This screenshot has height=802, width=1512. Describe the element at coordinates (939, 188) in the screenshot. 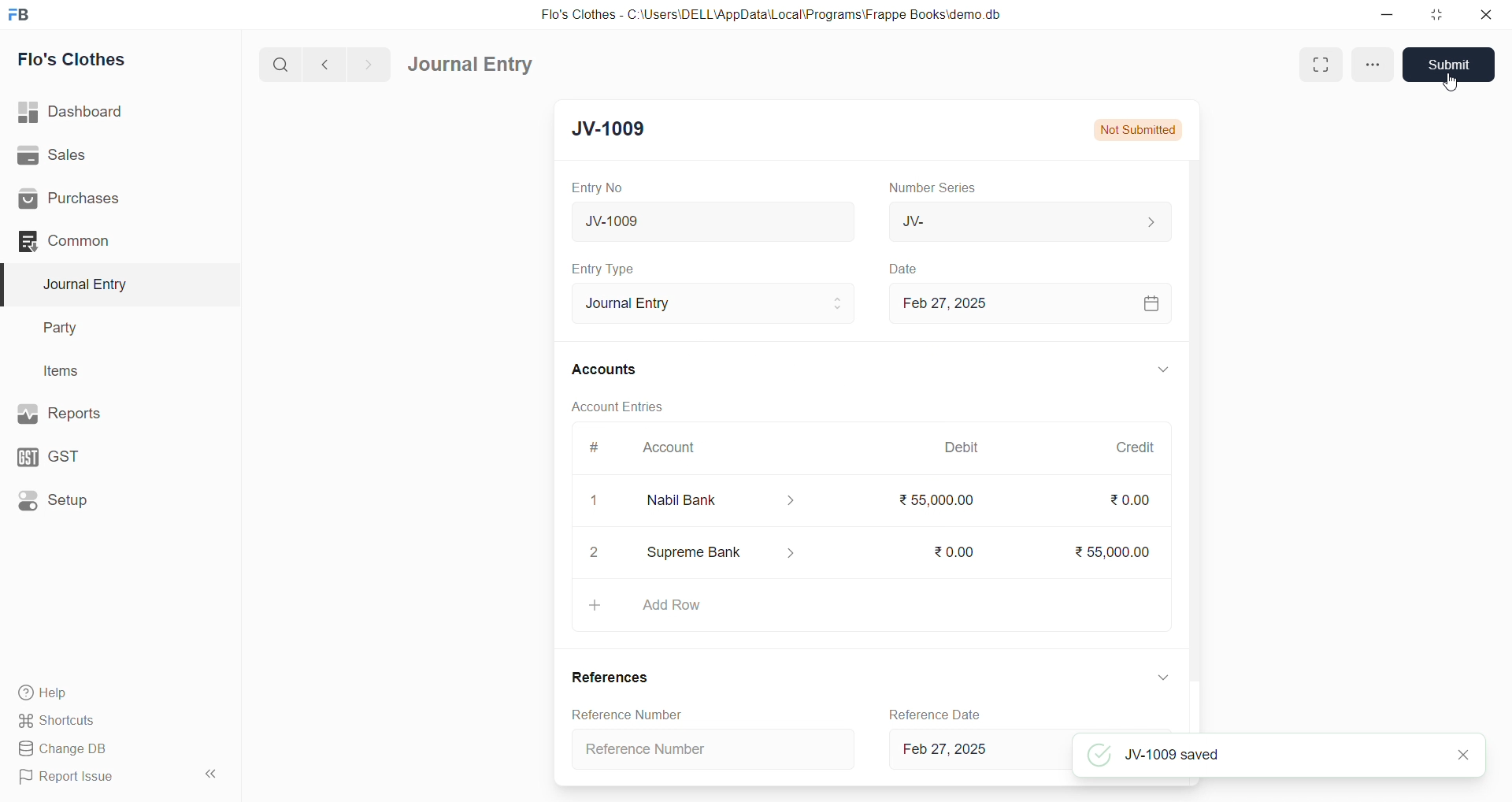

I see `Number Series` at that location.